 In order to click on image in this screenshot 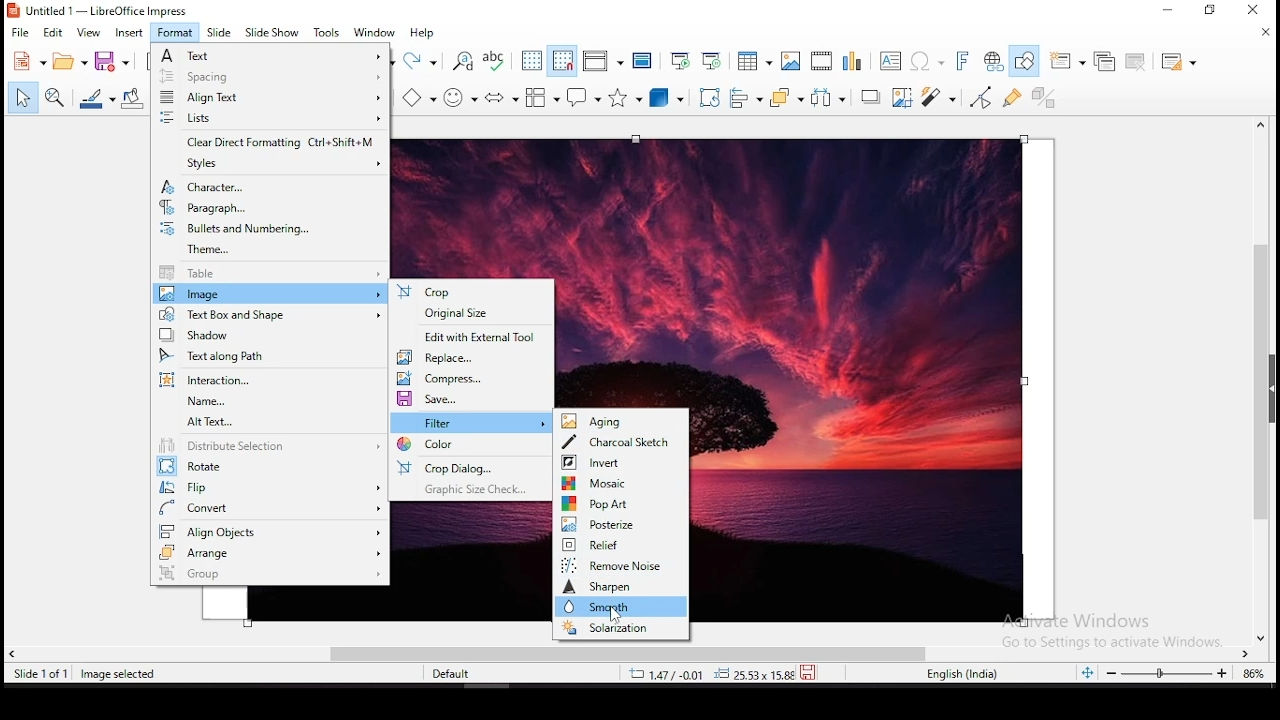, I will do `click(268, 294)`.